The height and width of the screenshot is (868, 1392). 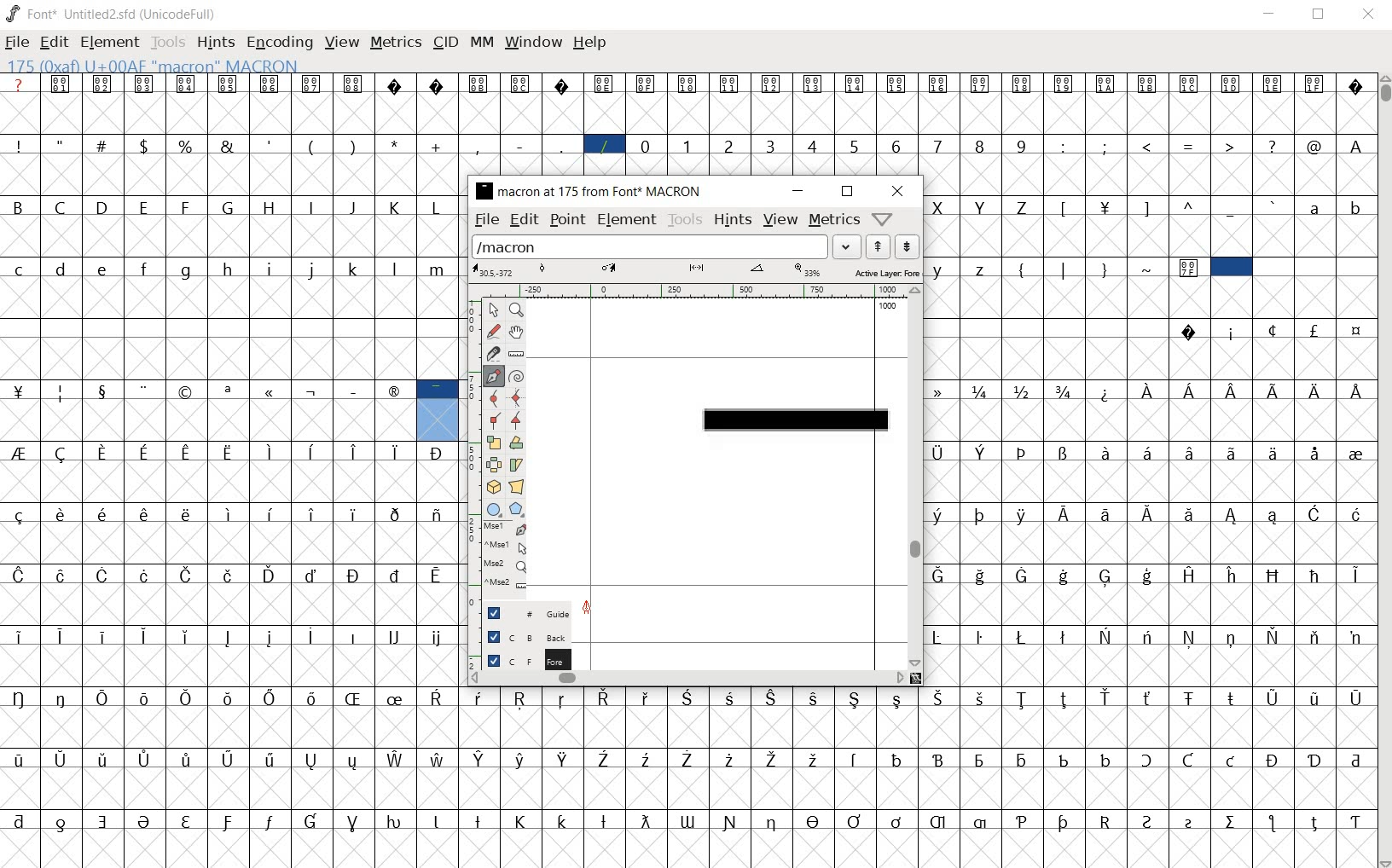 What do you see at coordinates (19, 516) in the screenshot?
I see `Symbol` at bounding box center [19, 516].